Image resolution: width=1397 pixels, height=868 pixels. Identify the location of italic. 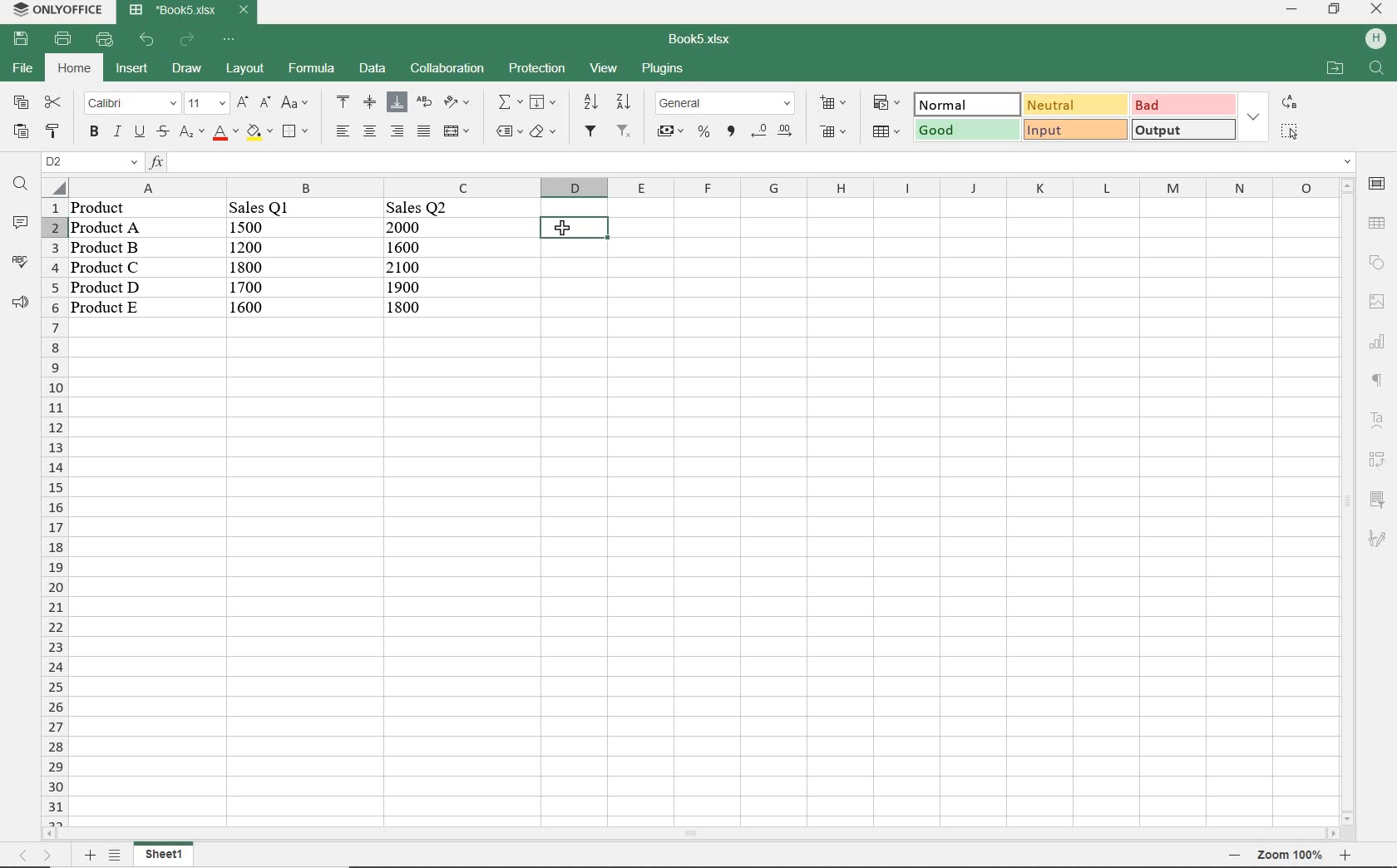
(117, 133).